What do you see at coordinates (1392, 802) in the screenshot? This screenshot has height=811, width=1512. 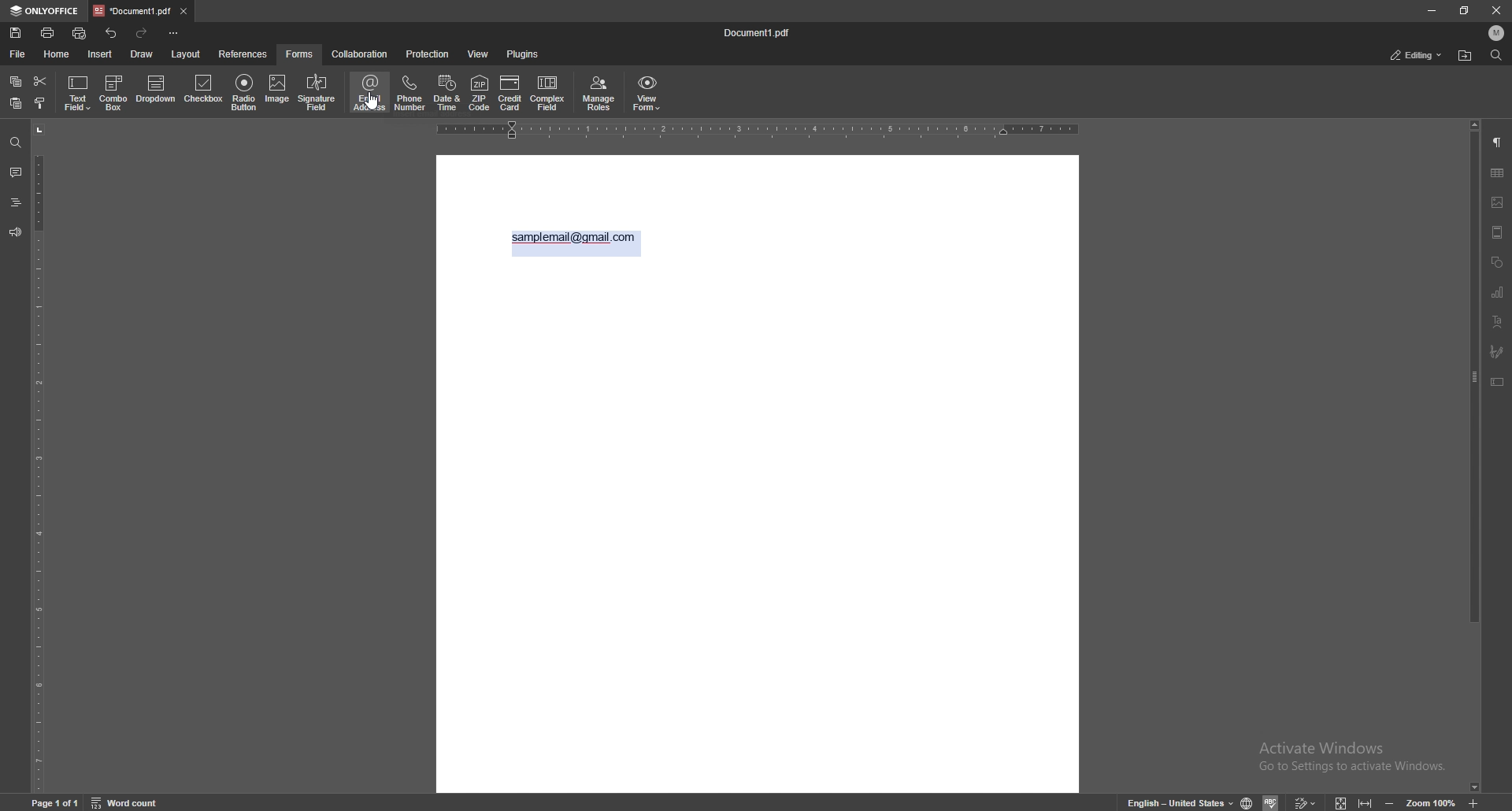 I see `zoom out` at bounding box center [1392, 802].